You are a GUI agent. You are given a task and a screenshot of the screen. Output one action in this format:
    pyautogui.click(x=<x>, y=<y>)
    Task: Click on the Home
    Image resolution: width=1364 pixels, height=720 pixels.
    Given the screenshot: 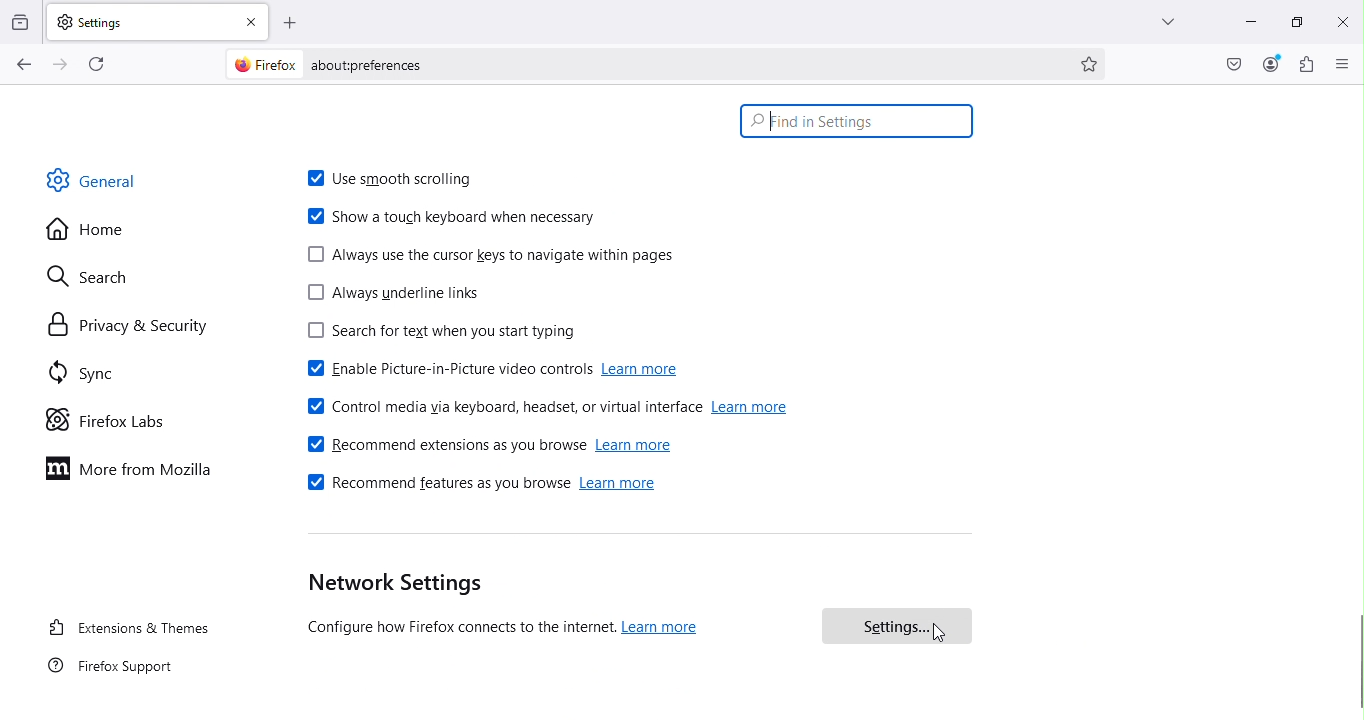 What is the action you would take?
    pyautogui.click(x=86, y=230)
    